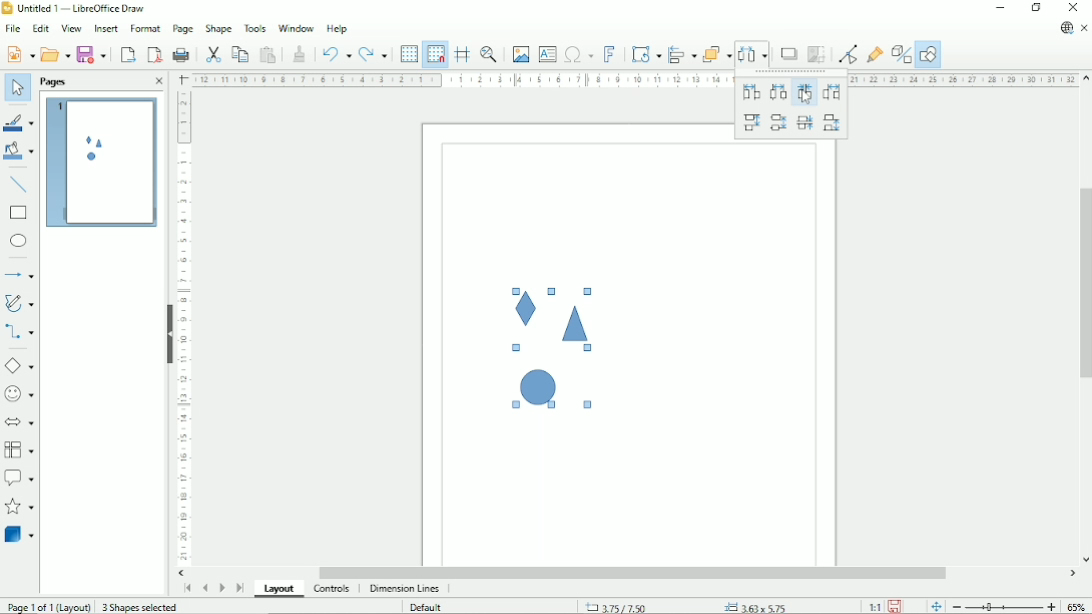  Describe the element at coordinates (1077, 605) in the screenshot. I see `Zoom factor` at that location.